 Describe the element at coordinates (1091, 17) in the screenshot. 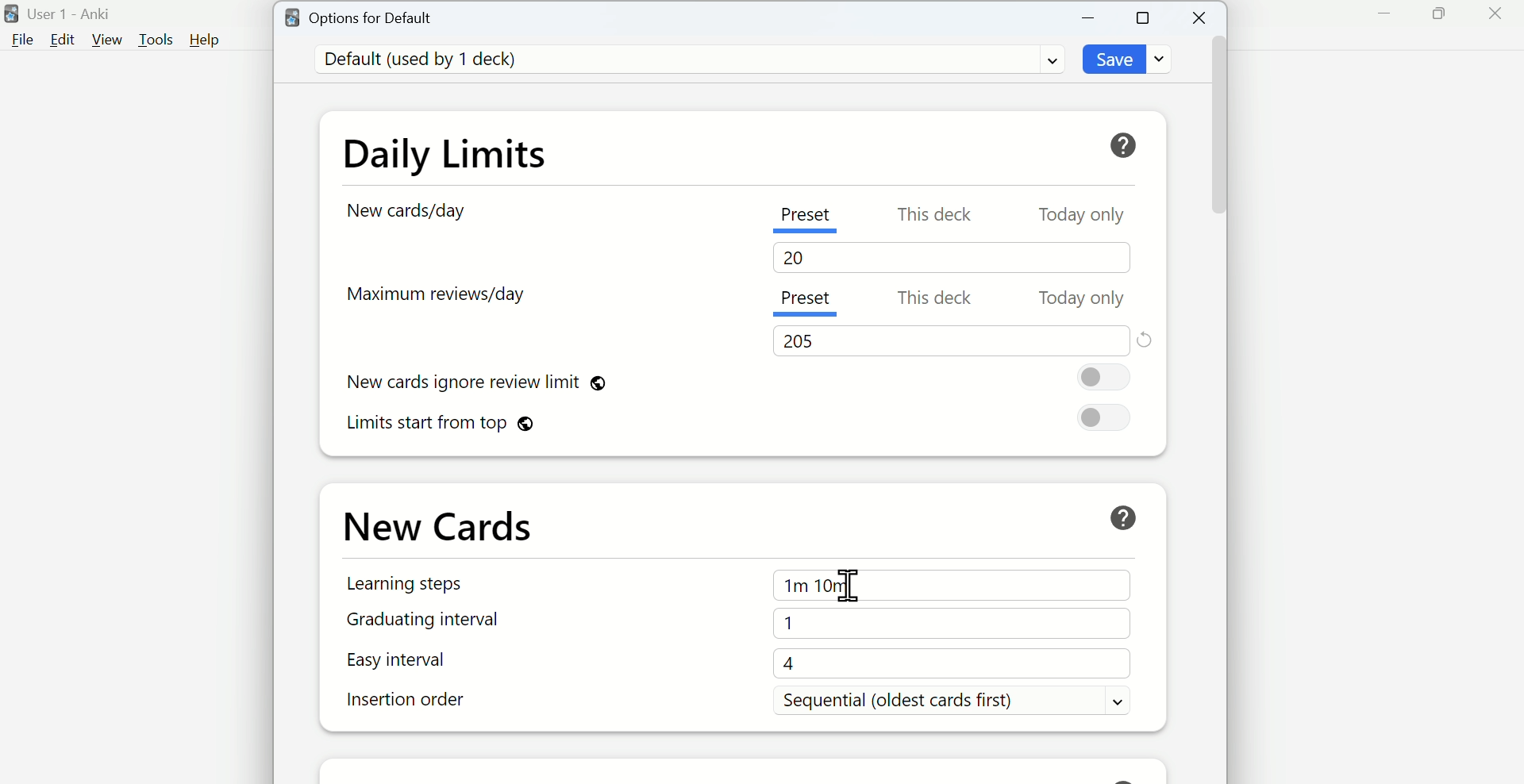

I see `Minimize` at that location.